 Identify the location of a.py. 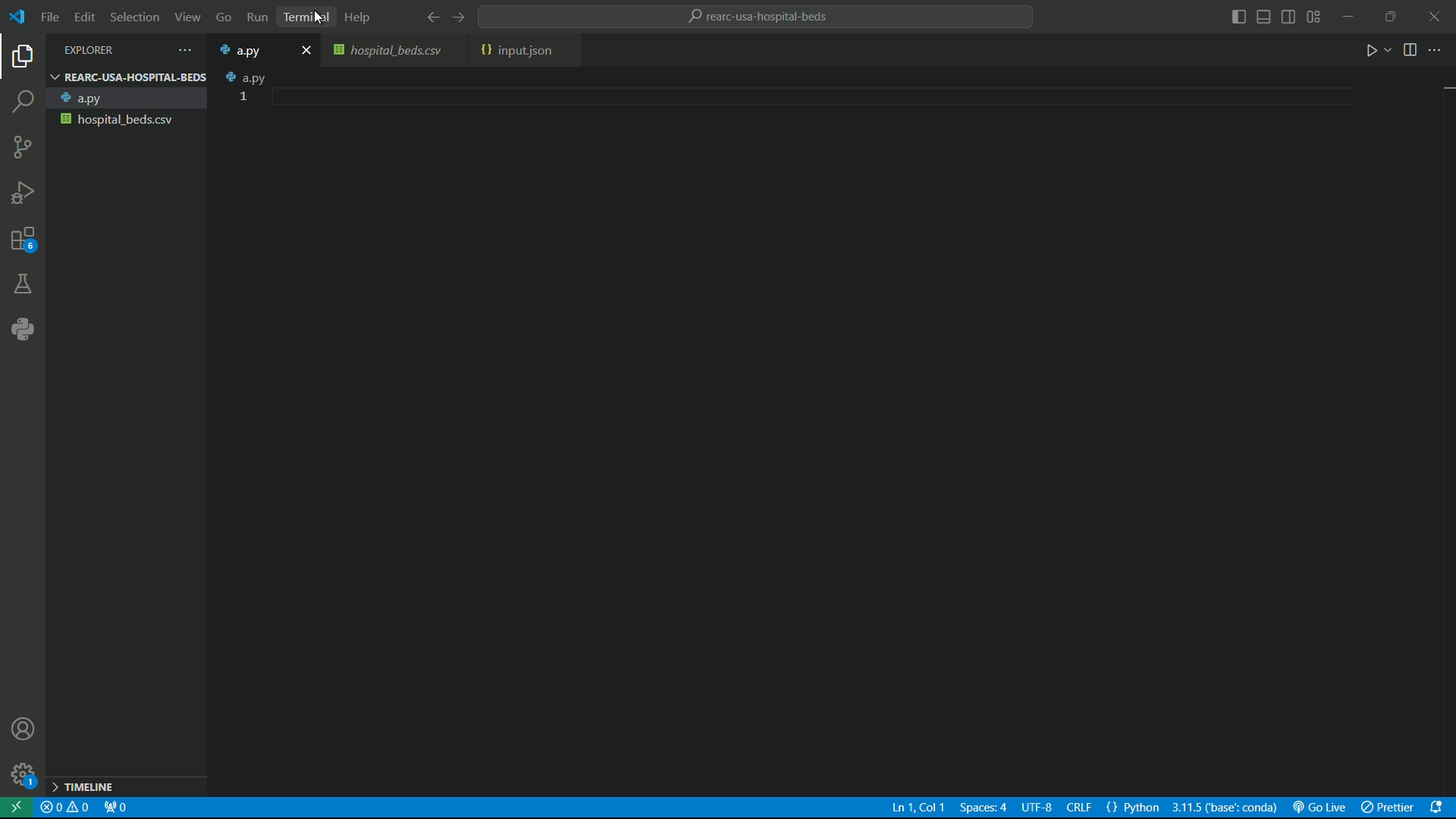
(128, 97).